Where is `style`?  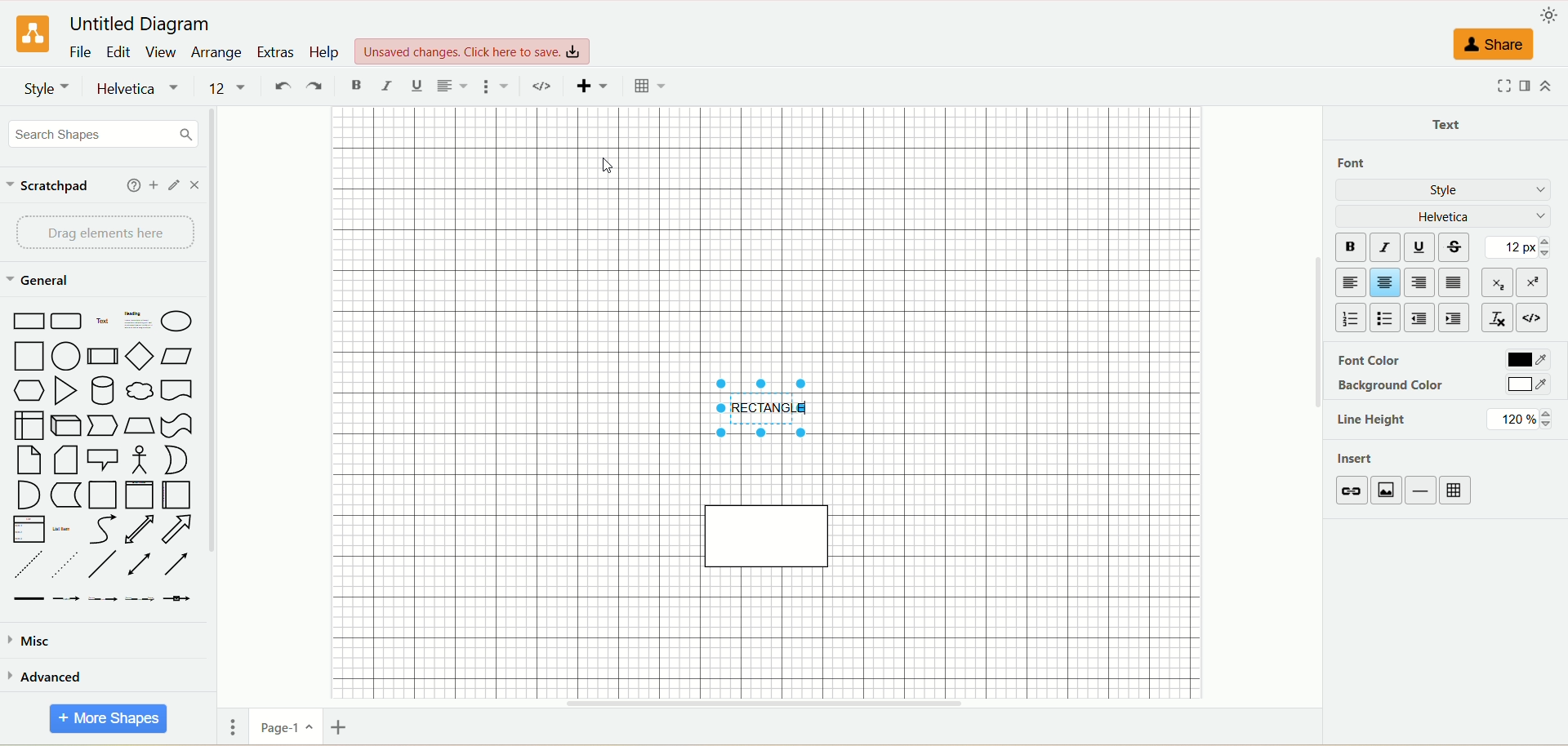 style is located at coordinates (1444, 191).